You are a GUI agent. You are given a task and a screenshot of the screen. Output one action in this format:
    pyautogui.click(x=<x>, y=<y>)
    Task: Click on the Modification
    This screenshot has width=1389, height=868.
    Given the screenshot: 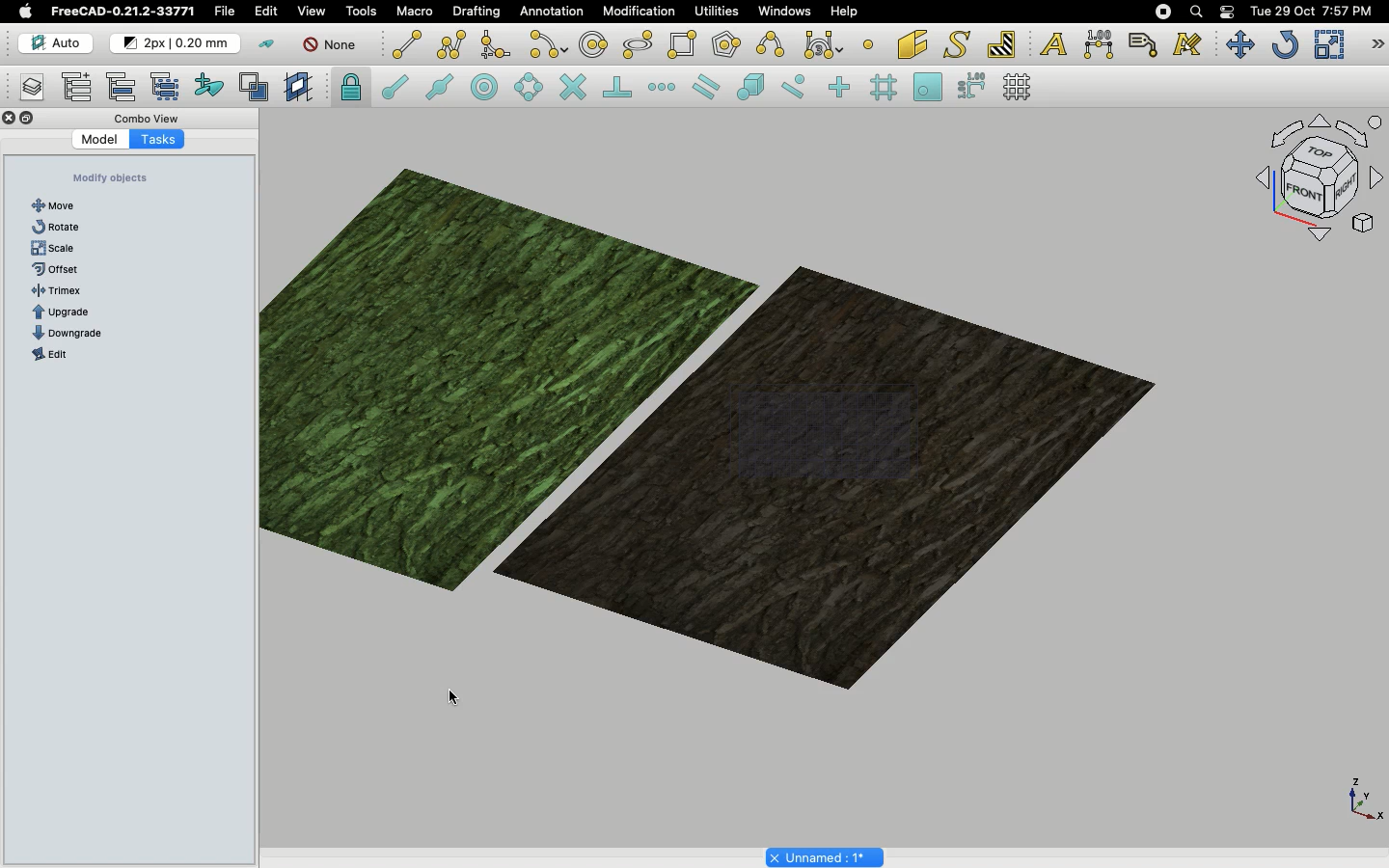 What is the action you would take?
    pyautogui.click(x=643, y=14)
    